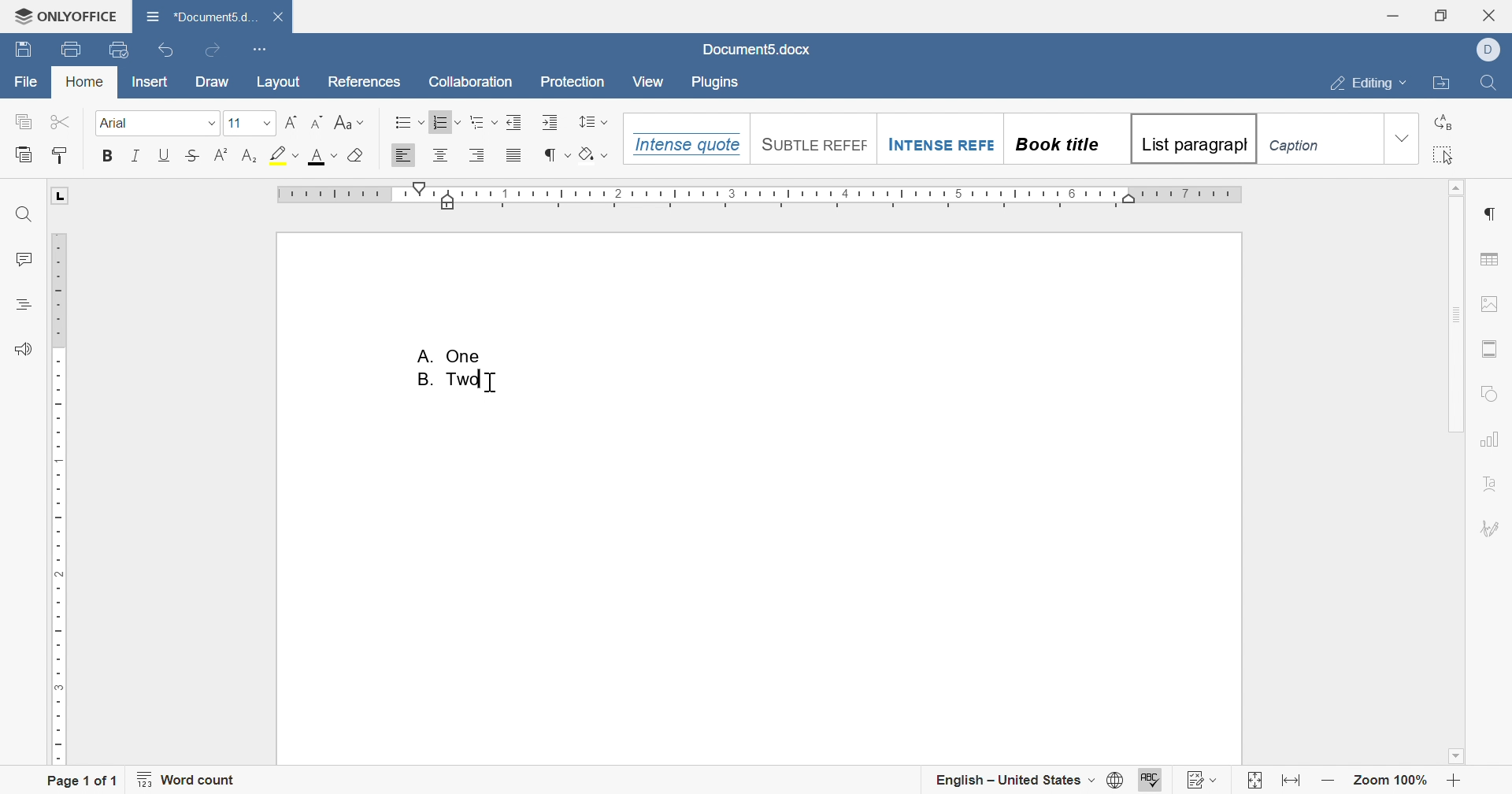 The image size is (1512, 794). Describe the element at coordinates (489, 382) in the screenshot. I see `text cursor` at that location.